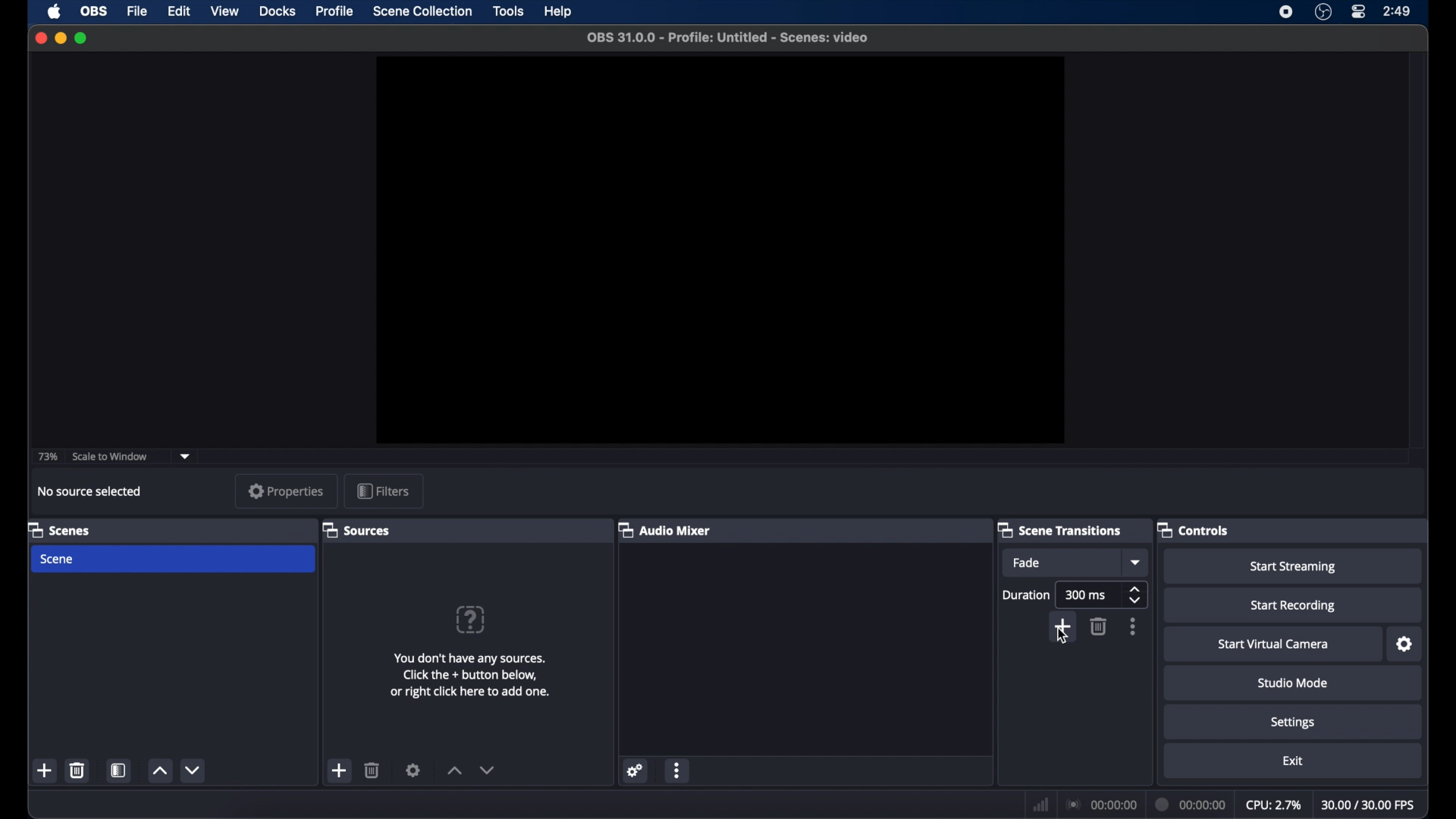  I want to click on file name, so click(727, 37).